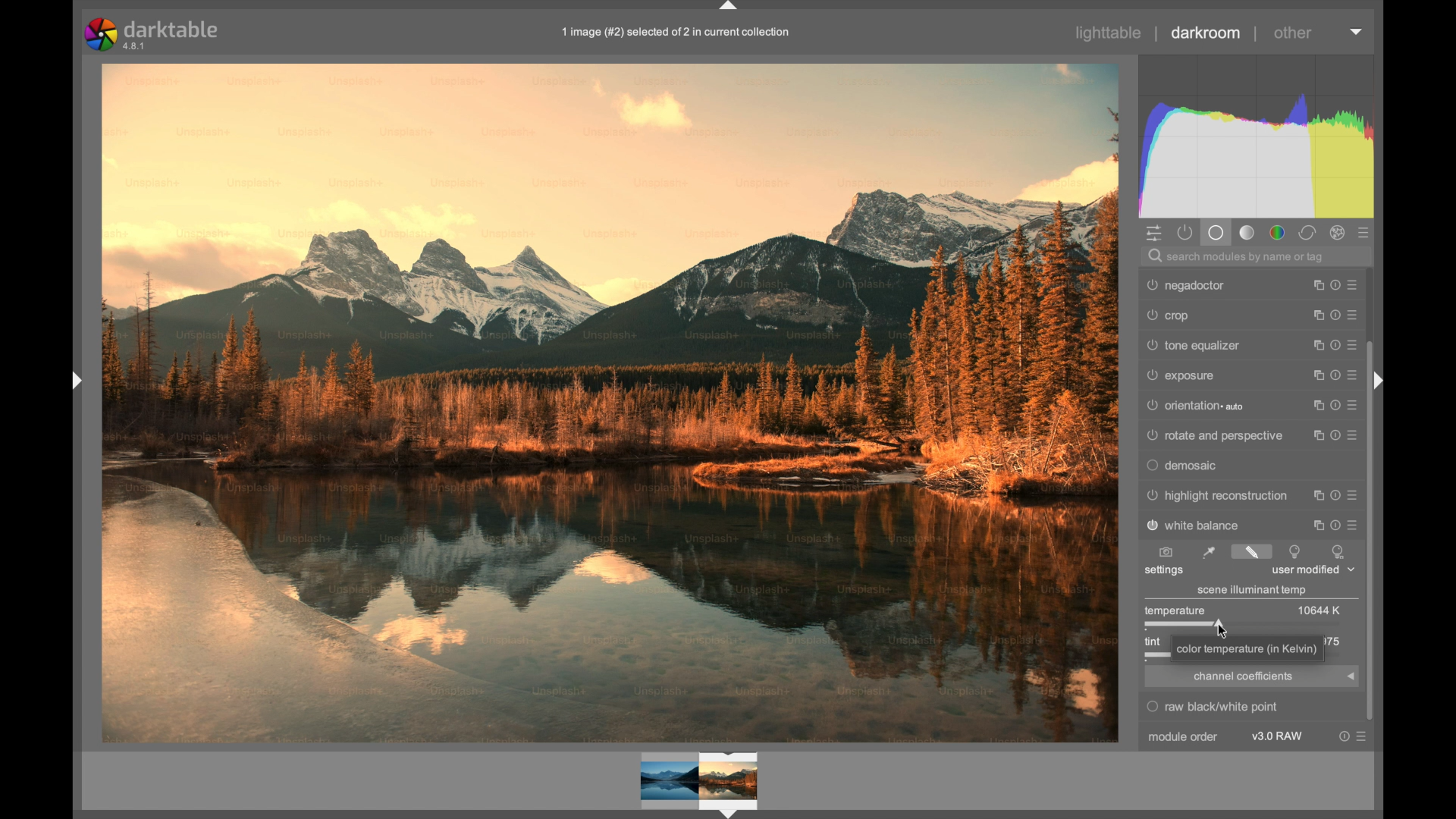  I want to click on instance, so click(1314, 309).